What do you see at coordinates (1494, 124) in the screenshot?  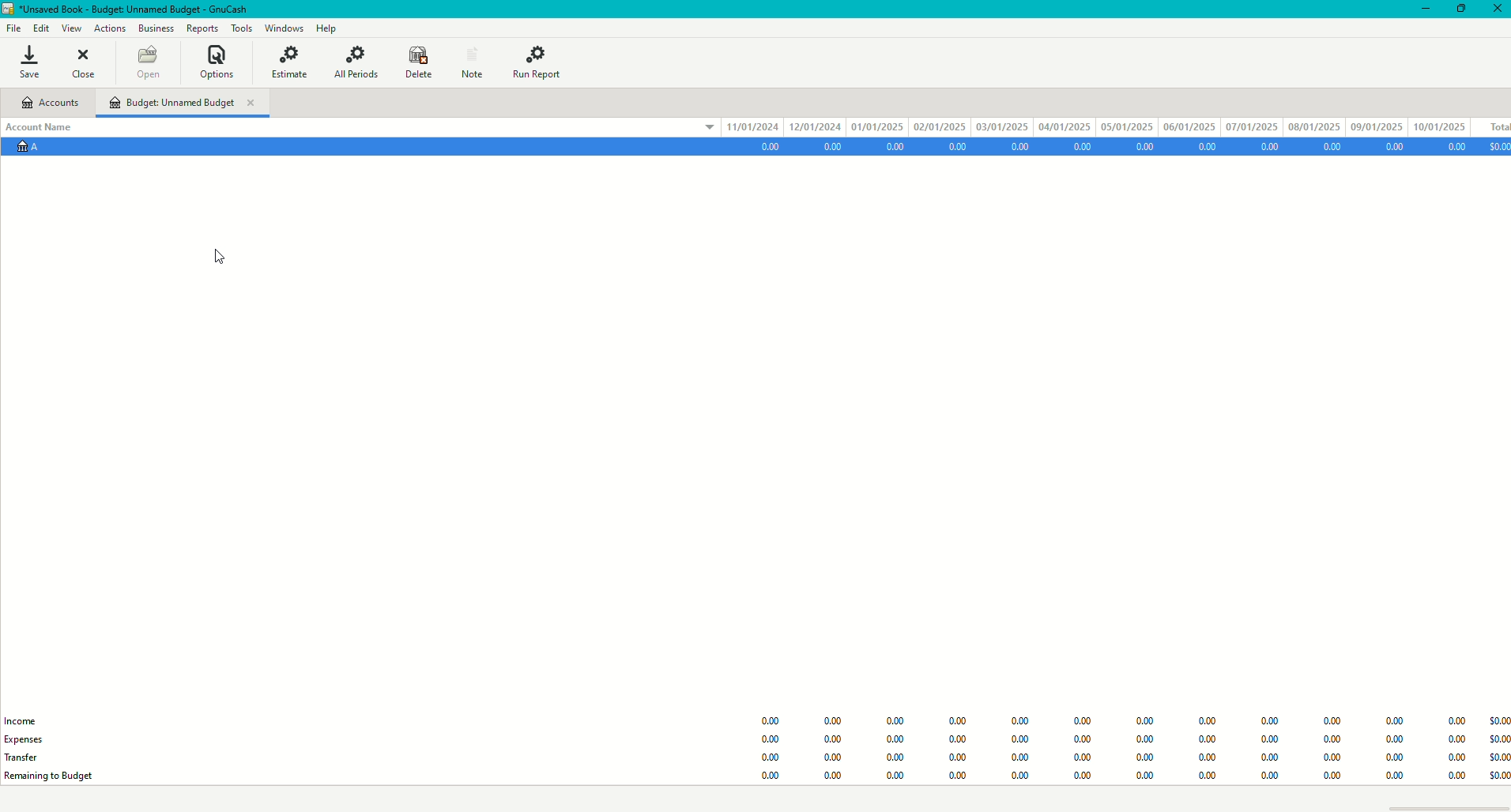 I see `total` at bounding box center [1494, 124].